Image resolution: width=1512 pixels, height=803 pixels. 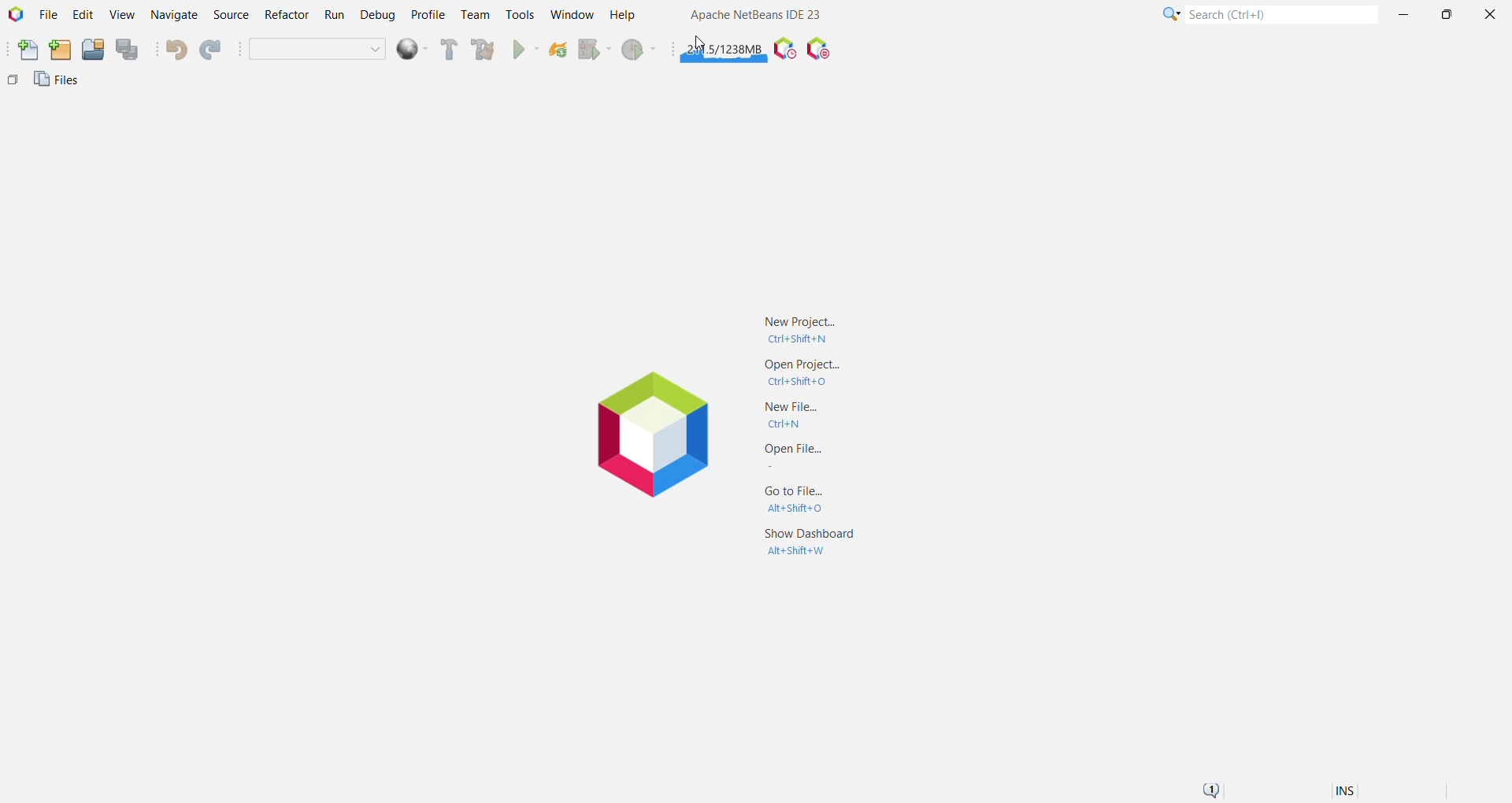 What do you see at coordinates (572, 14) in the screenshot?
I see `Window` at bounding box center [572, 14].